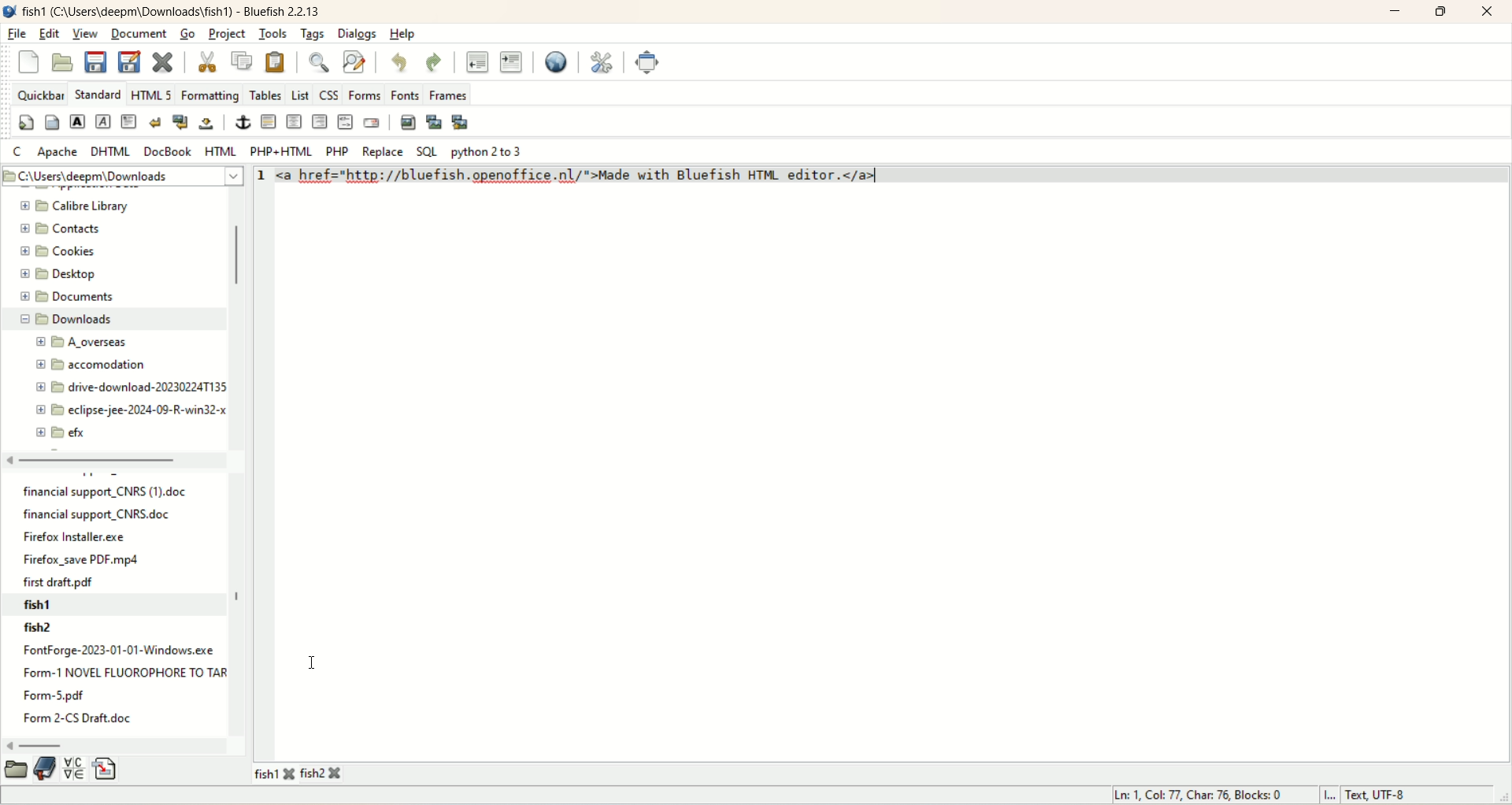  What do you see at coordinates (112, 154) in the screenshot?
I see `DHTML` at bounding box center [112, 154].